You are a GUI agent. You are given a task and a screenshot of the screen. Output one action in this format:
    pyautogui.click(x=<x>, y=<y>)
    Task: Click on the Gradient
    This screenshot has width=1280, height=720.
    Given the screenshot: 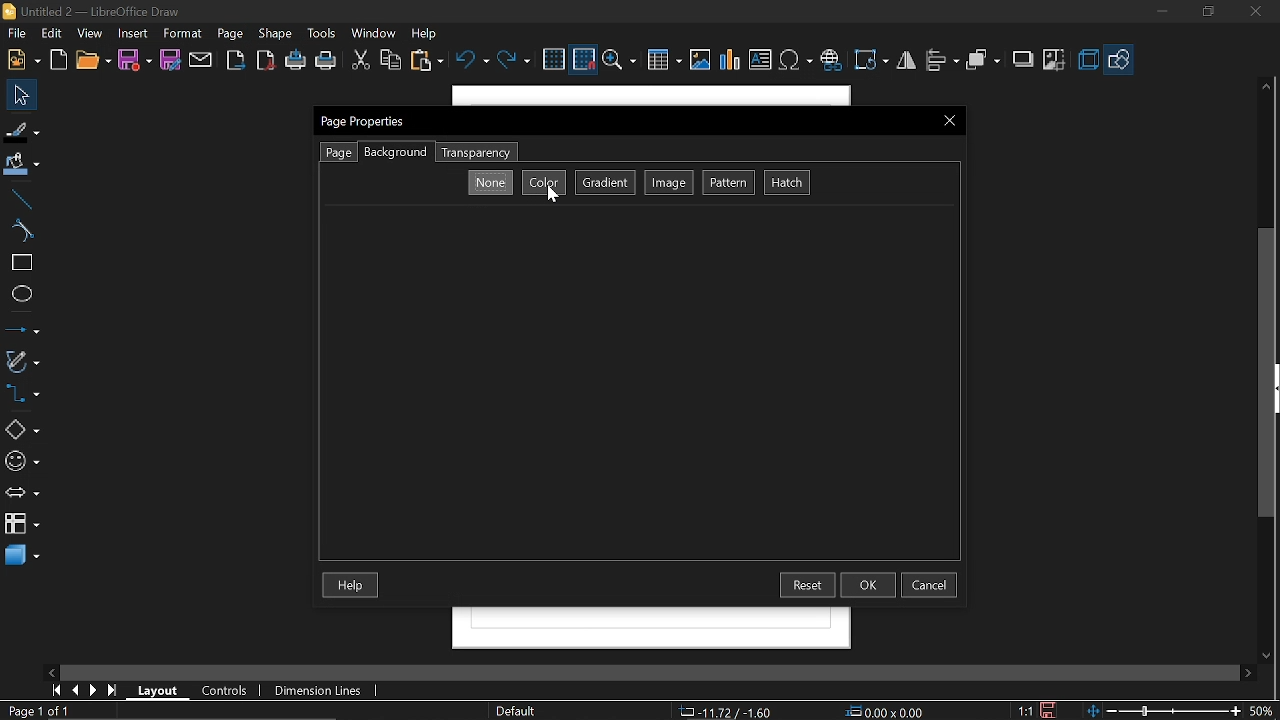 What is the action you would take?
    pyautogui.click(x=606, y=184)
    